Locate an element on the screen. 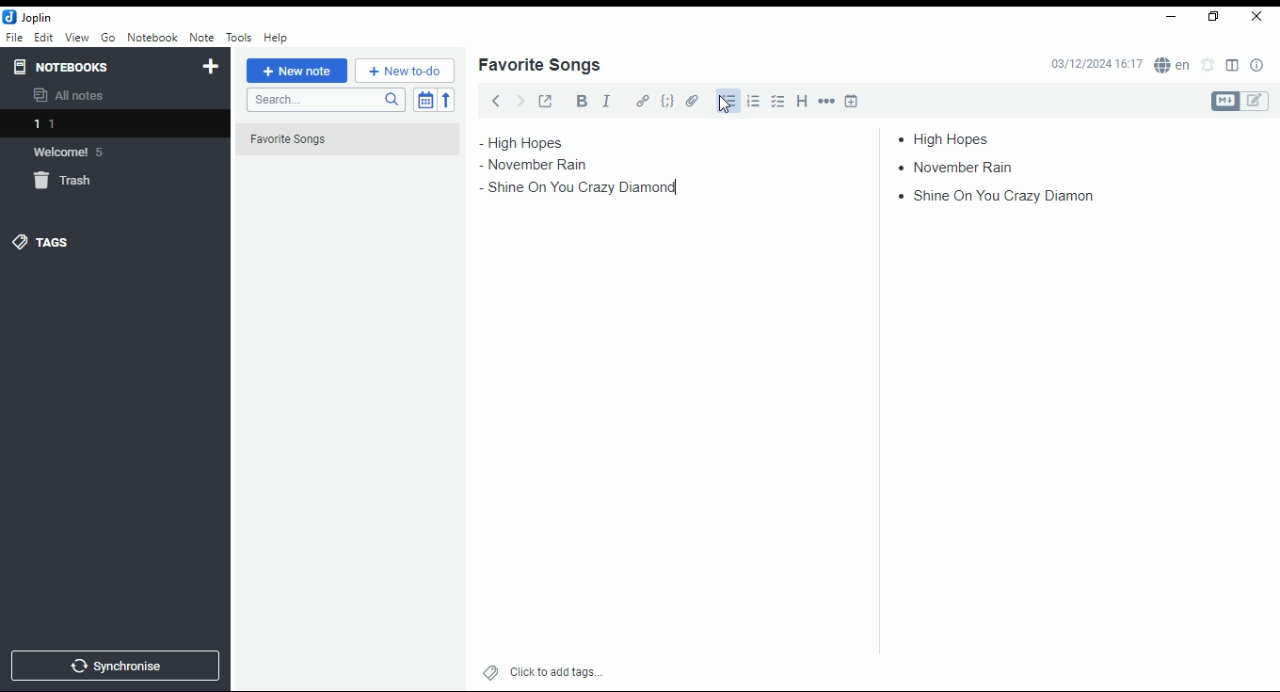 The image size is (1280, 692). note properties is located at coordinates (1258, 66).